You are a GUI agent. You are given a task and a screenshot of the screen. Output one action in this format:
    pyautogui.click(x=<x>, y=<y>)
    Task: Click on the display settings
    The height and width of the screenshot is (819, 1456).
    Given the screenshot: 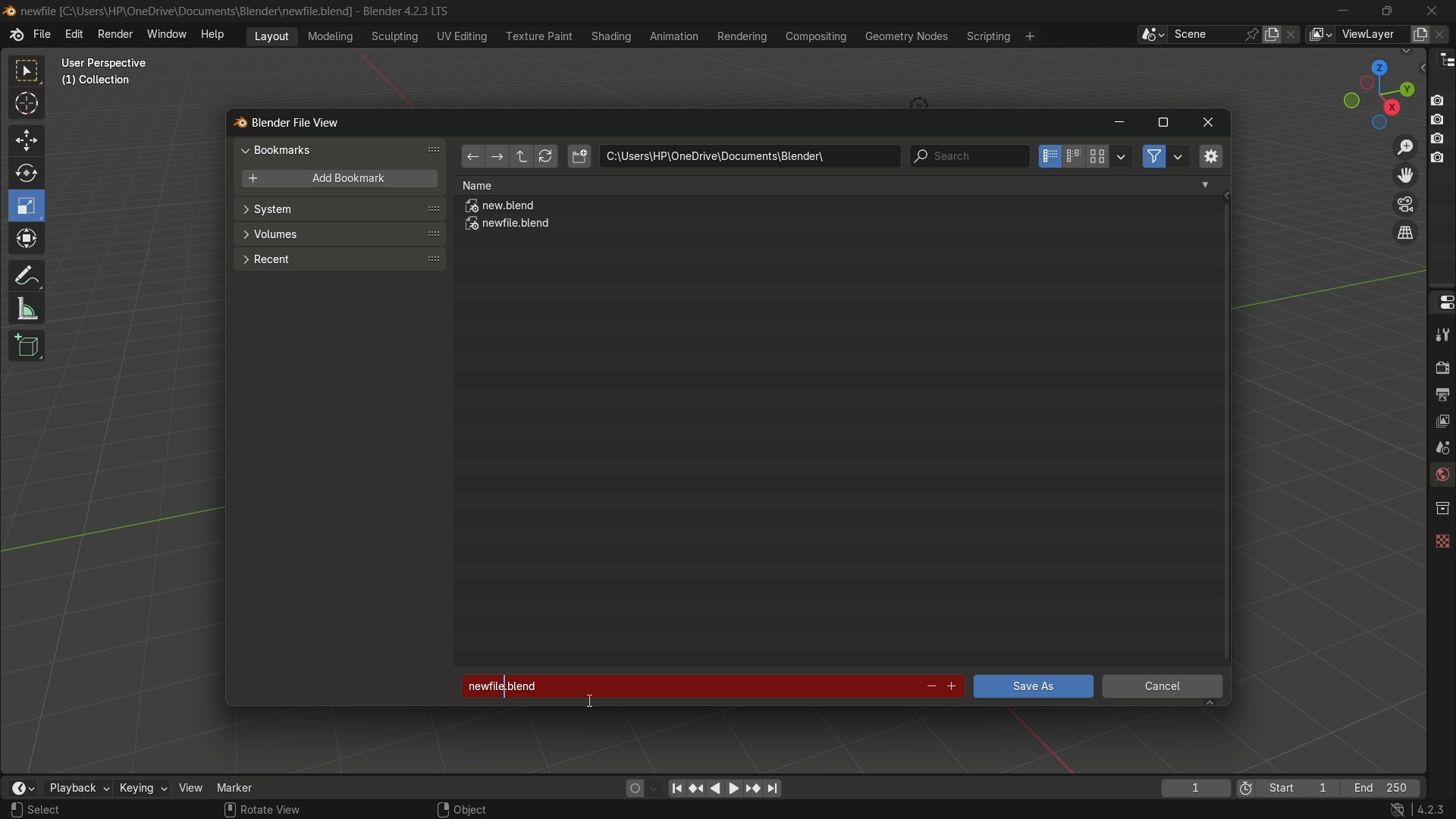 What is the action you would take?
    pyautogui.click(x=1122, y=155)
    